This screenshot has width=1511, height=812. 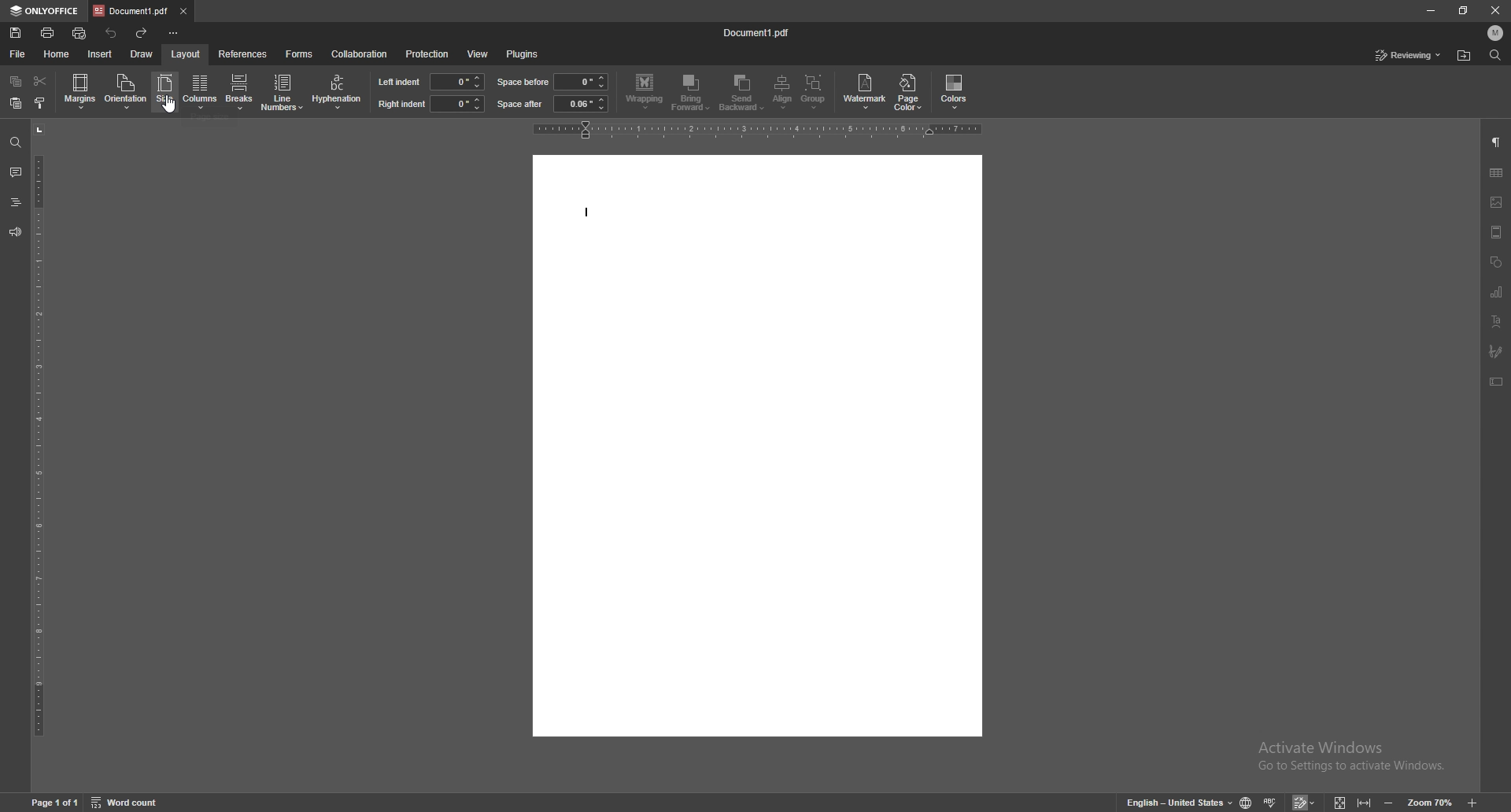 What do you see at coordinates (1496, 202) in the screenshot?
I see `image` at bounding box center [1496, 202].